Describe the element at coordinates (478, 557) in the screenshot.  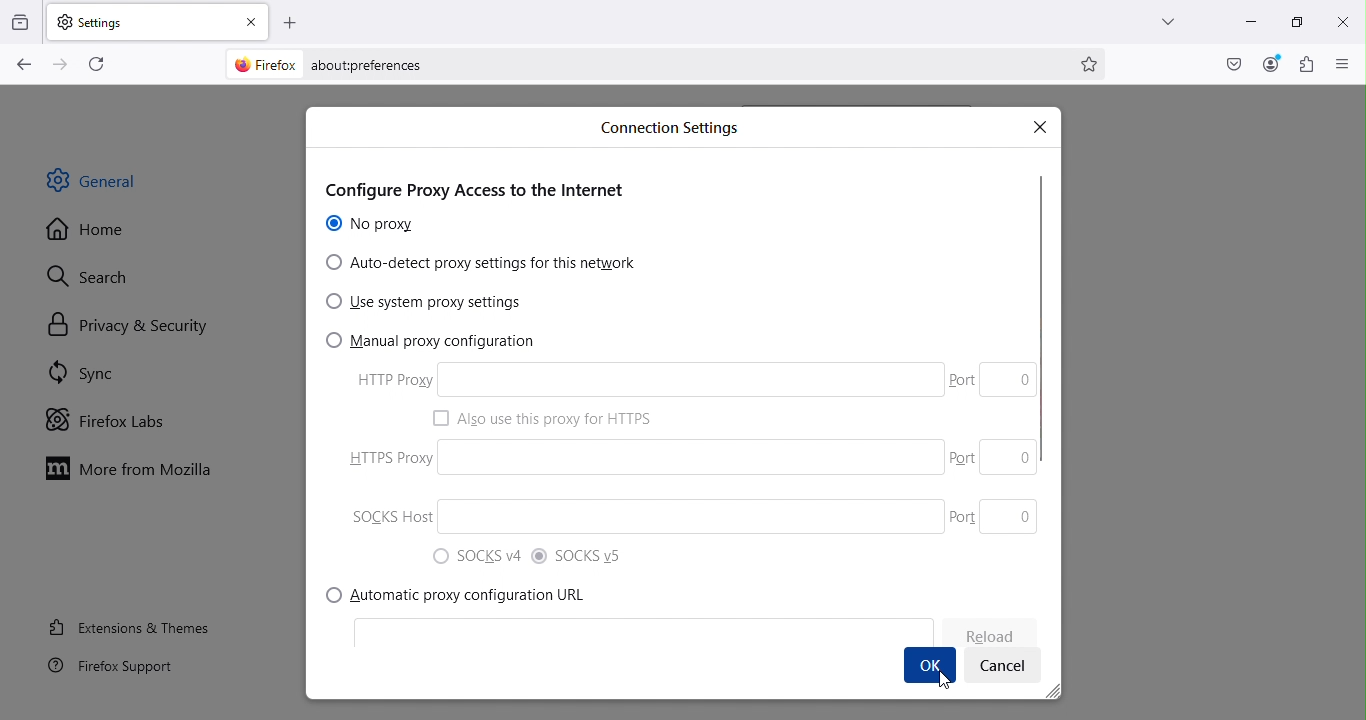
I see `SOCKS v4` at that location.